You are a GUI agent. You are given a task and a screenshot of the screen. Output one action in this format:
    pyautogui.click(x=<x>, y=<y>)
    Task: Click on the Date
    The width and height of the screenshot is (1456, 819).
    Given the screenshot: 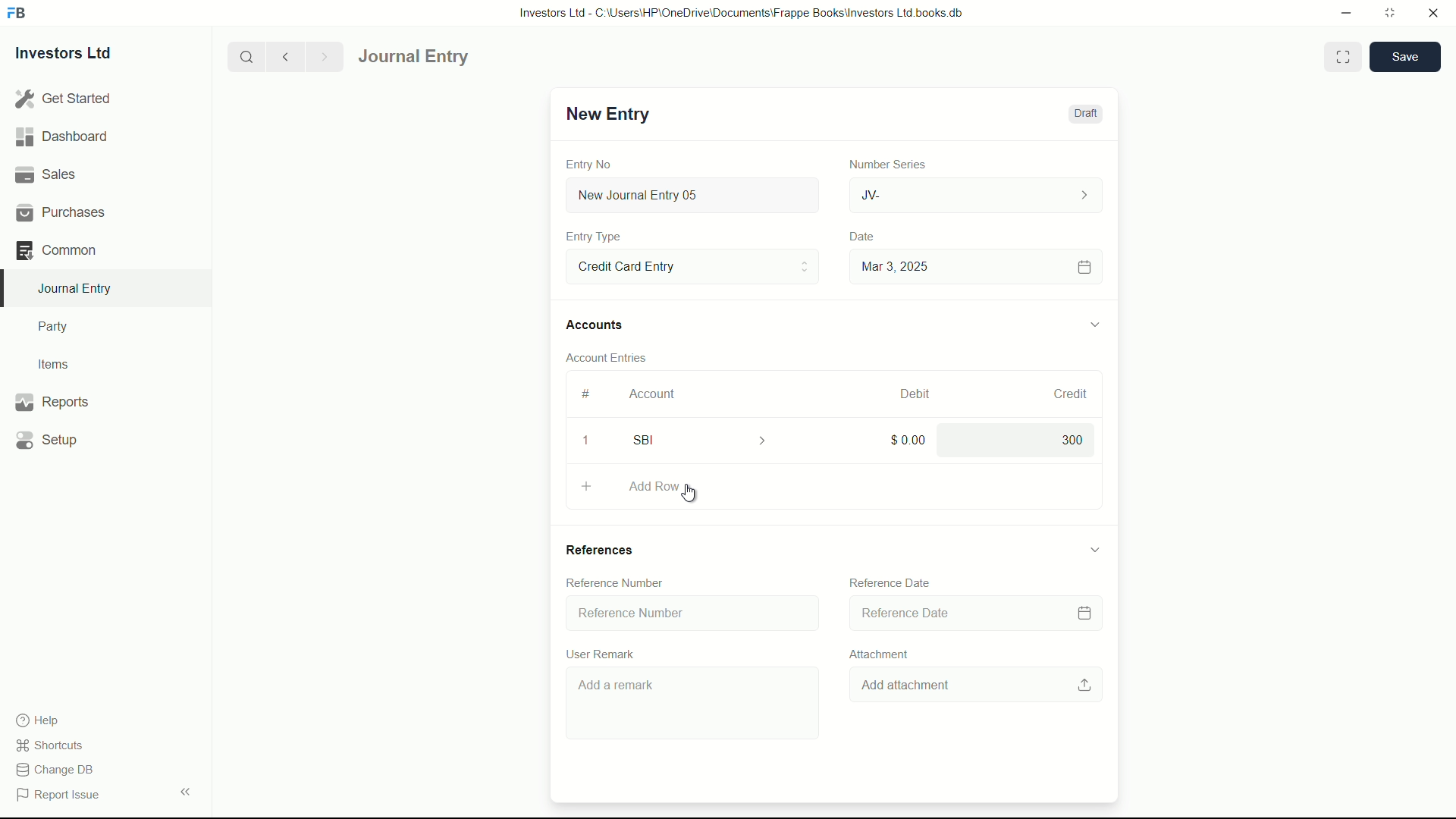 What is the action you would take?
    pyautogui.click(x=864, y=237)
    